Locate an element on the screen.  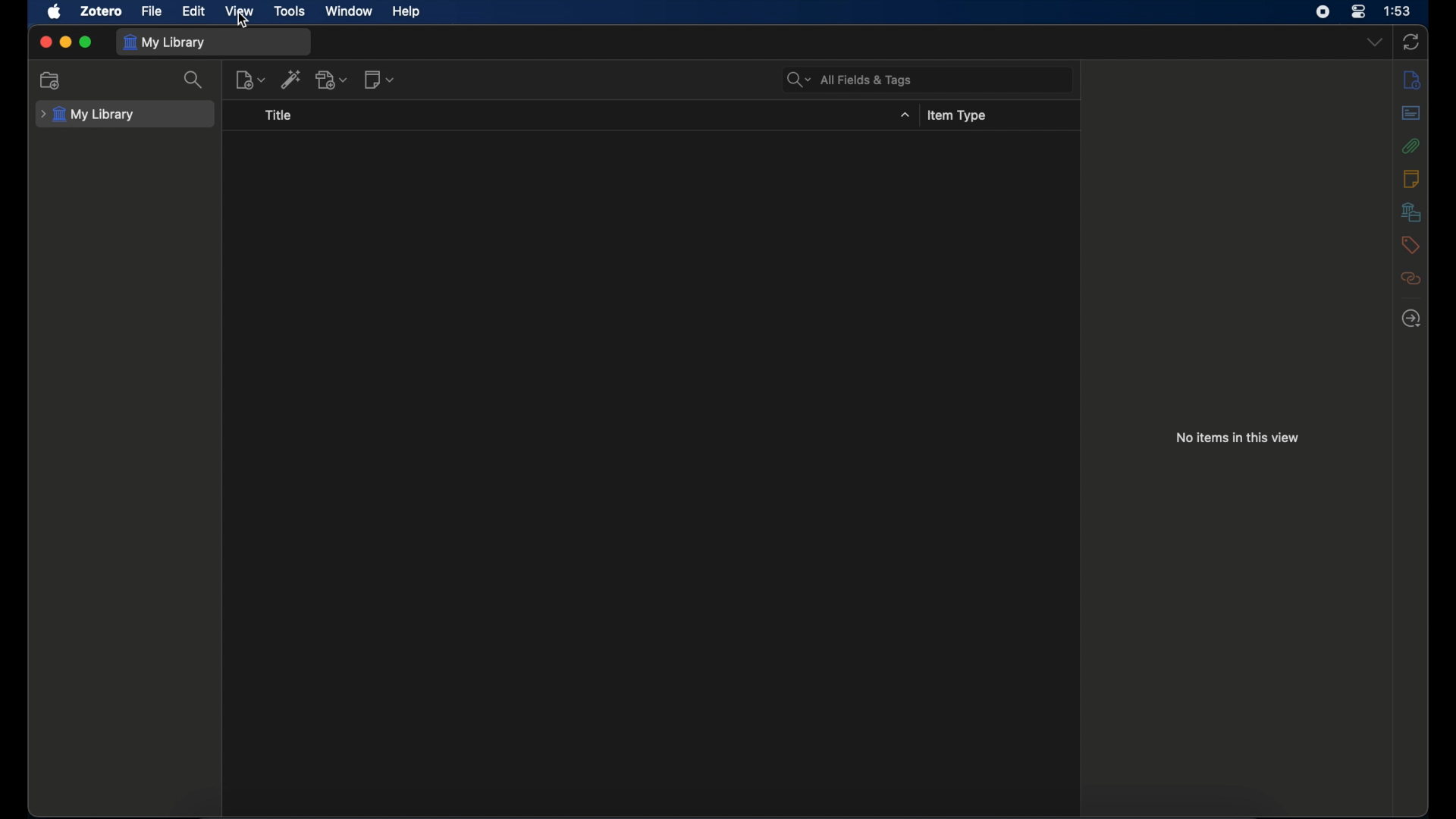
abstract is located at coordinates (1411, 112).